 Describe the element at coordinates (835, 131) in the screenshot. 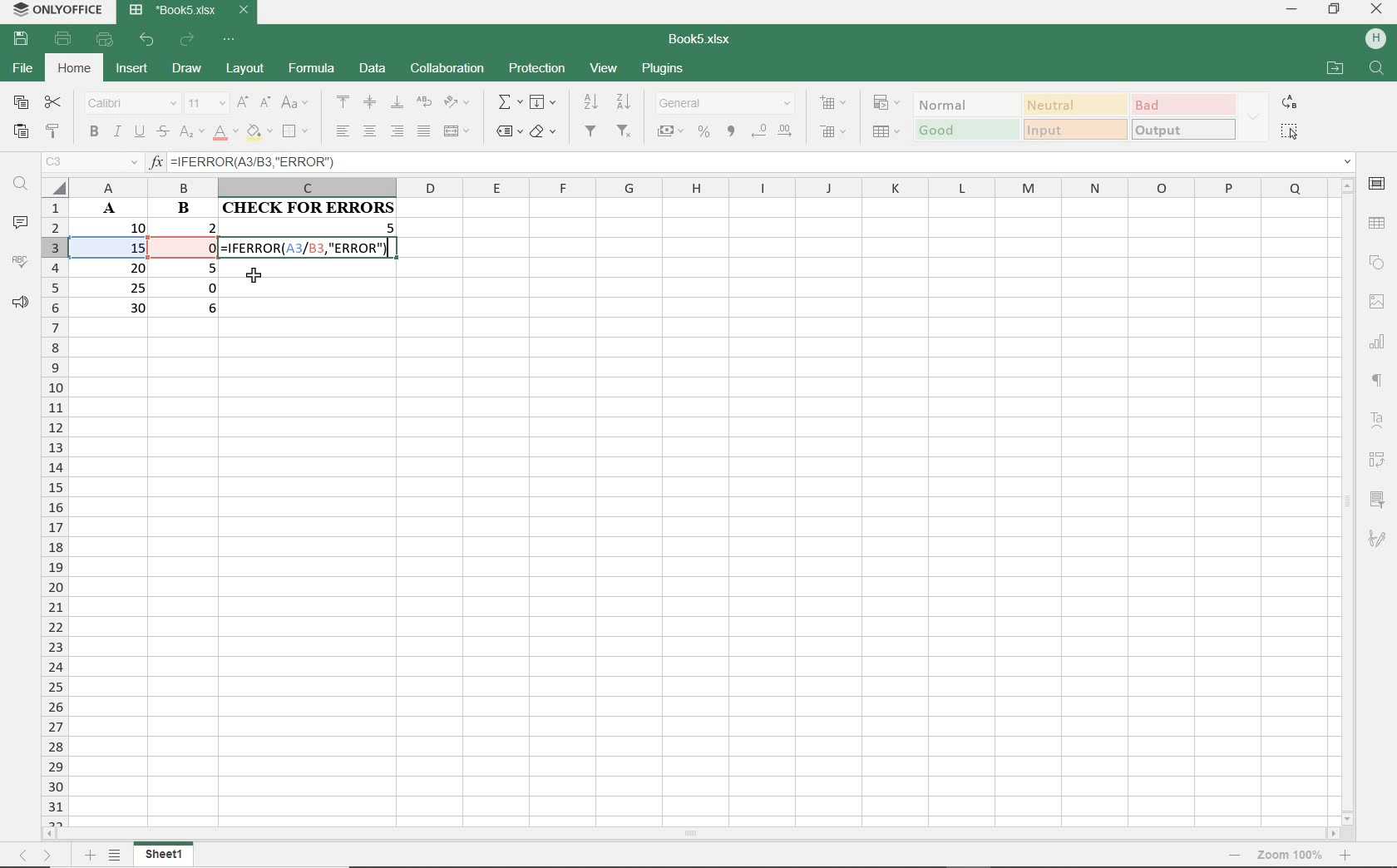

I see `DELETE CELLS` at that location.